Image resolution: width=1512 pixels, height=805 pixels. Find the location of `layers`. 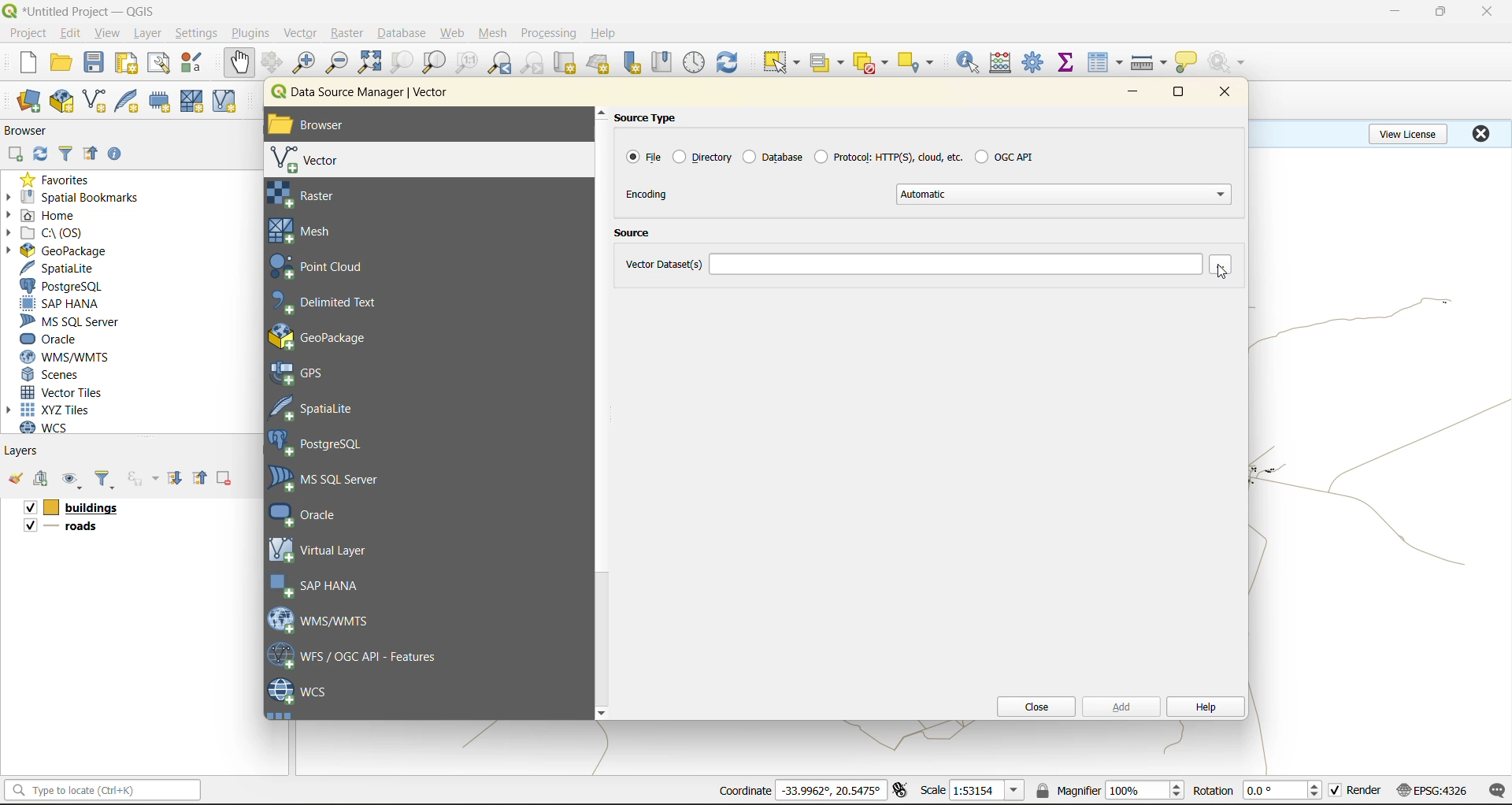

layers is located at coordinates (23, 450).